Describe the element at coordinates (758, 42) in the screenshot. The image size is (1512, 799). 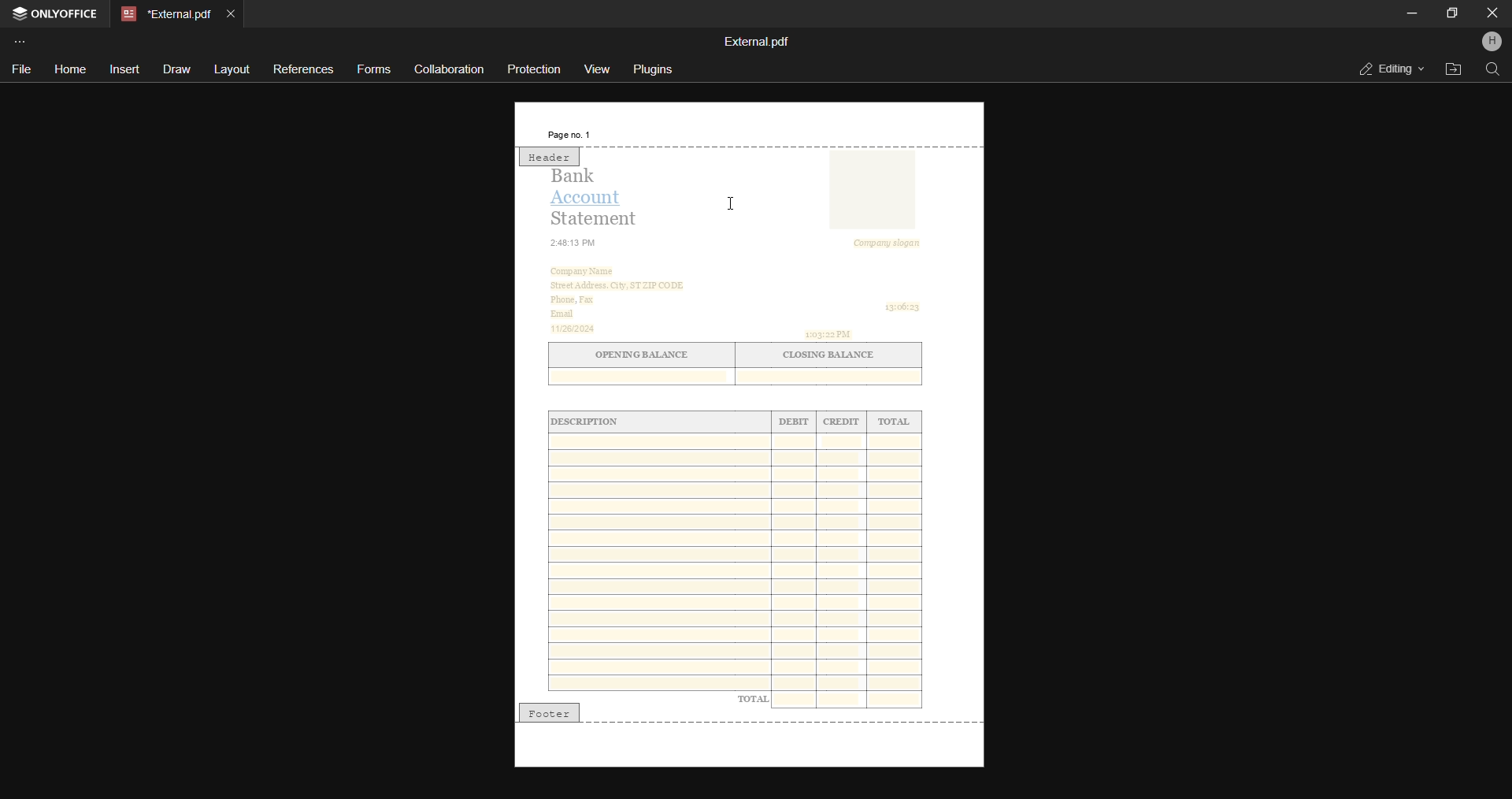
I see `External.pdf(file name)` at that location.